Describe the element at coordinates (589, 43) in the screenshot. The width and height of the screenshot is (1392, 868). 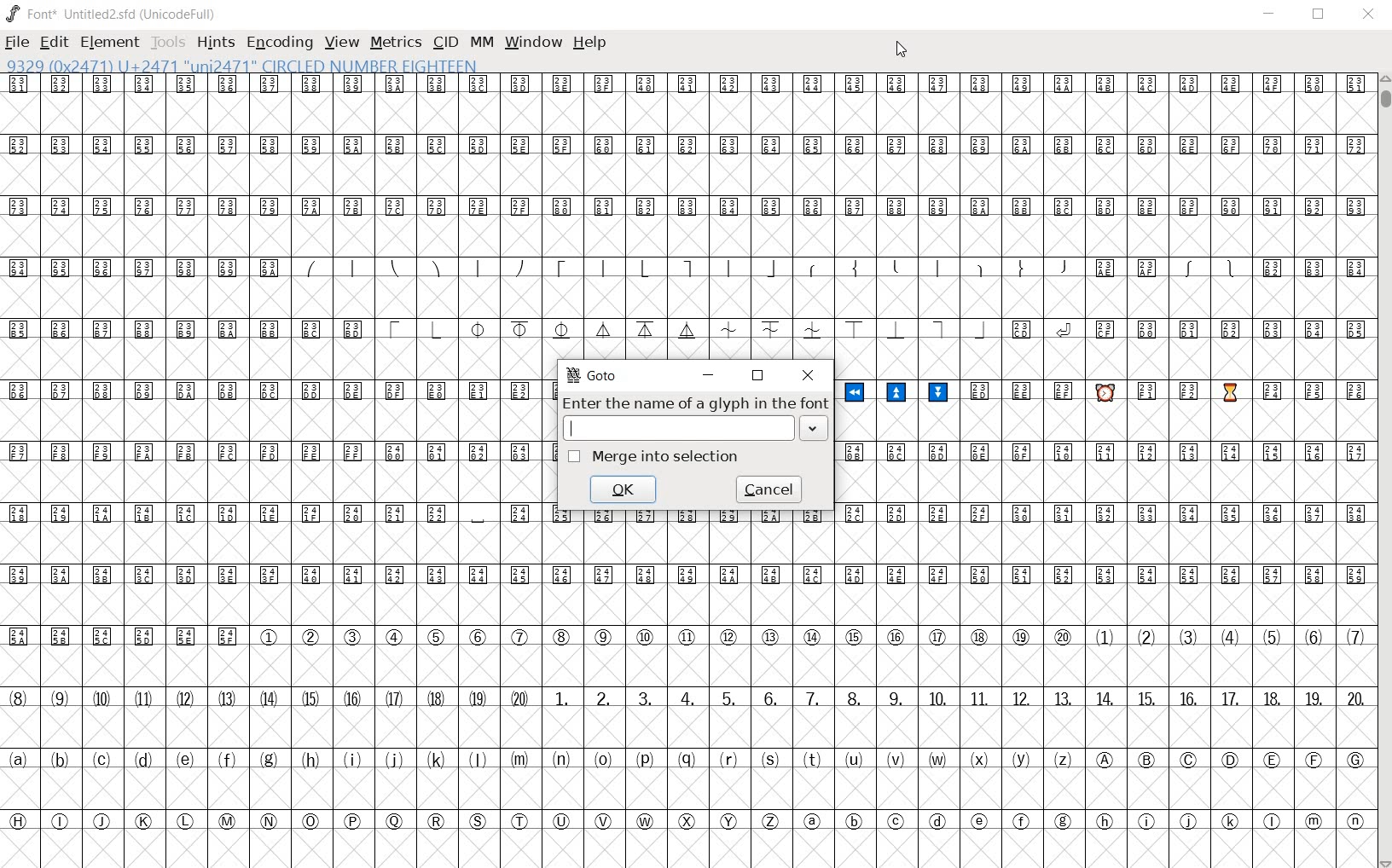
I see `help` at that location.